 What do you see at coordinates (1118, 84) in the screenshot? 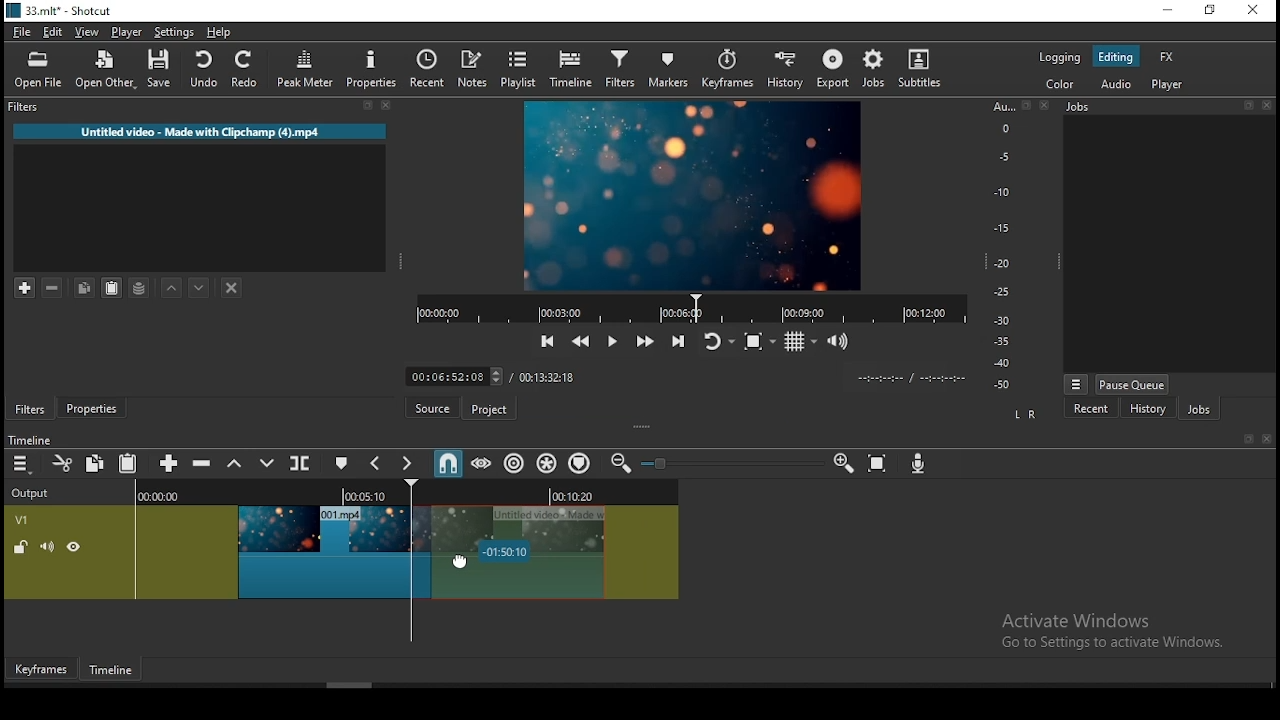
I see `audio` at bounding box center [1118, 84].